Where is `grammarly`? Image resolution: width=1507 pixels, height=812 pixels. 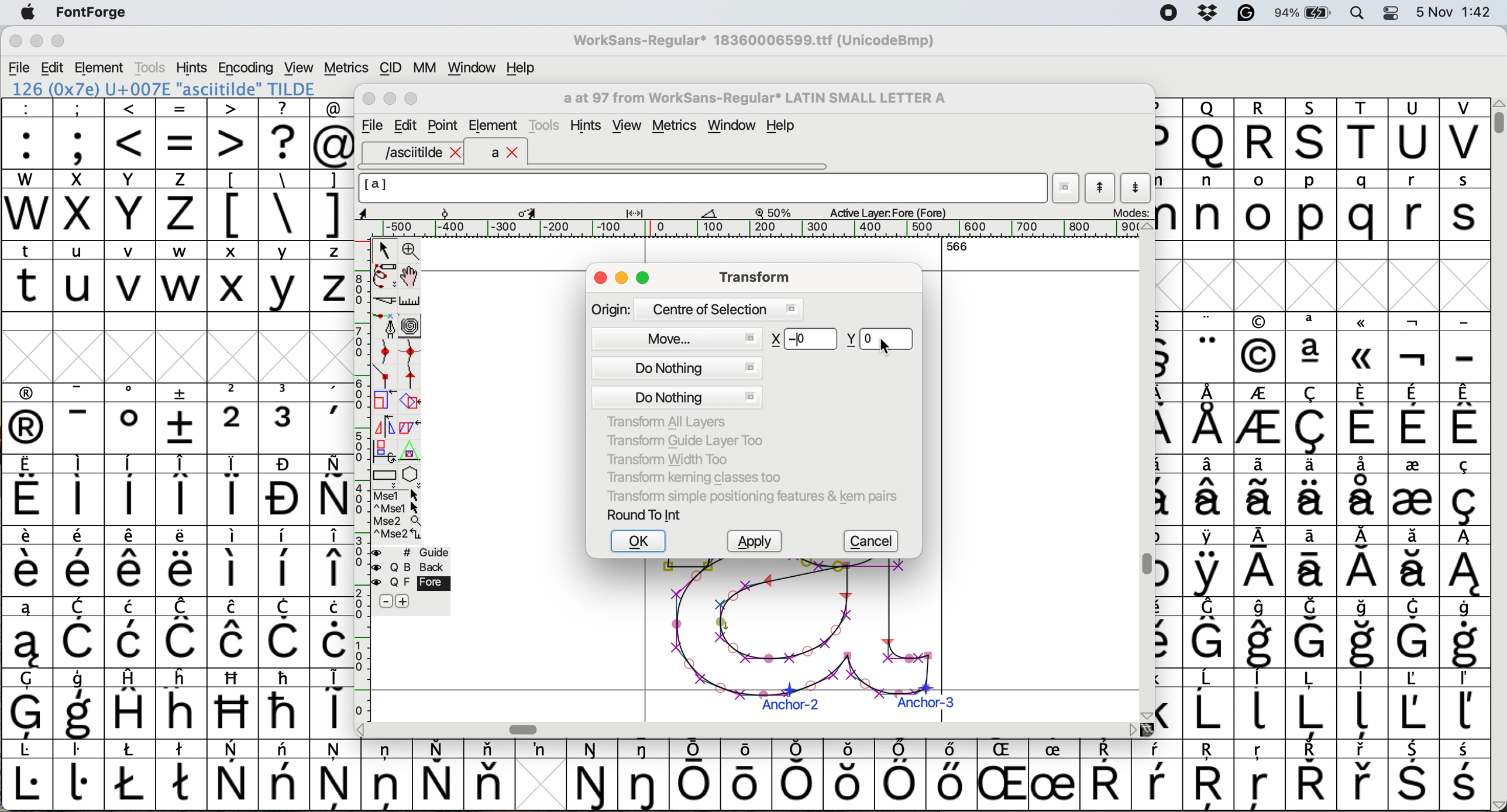 grammarly is located at coordinates (1245, 15).